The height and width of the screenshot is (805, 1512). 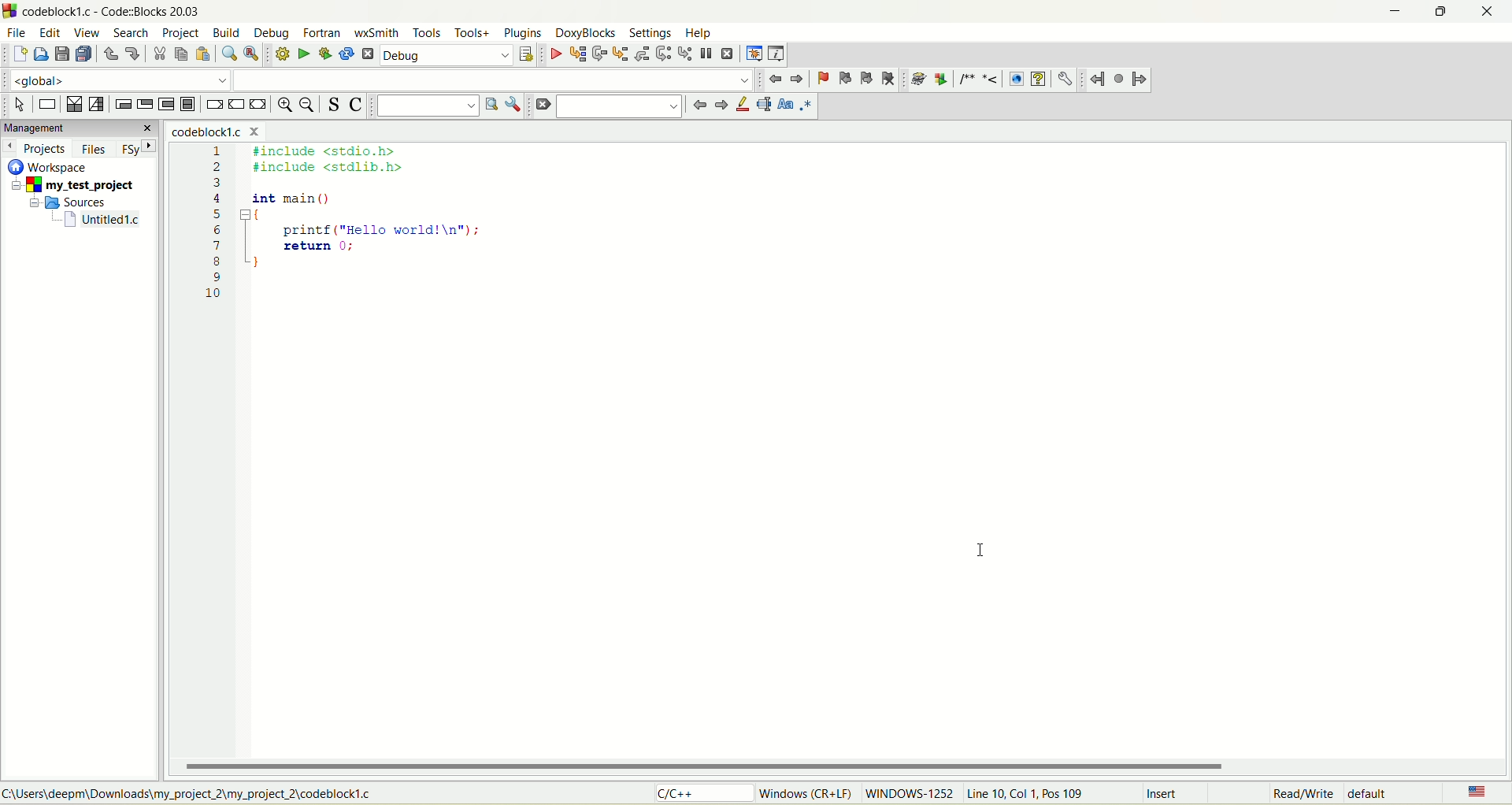 What do you see at coordinates (577, 56) in the screenshot?
I see `run to cursor` at bounding box center [577, 56].